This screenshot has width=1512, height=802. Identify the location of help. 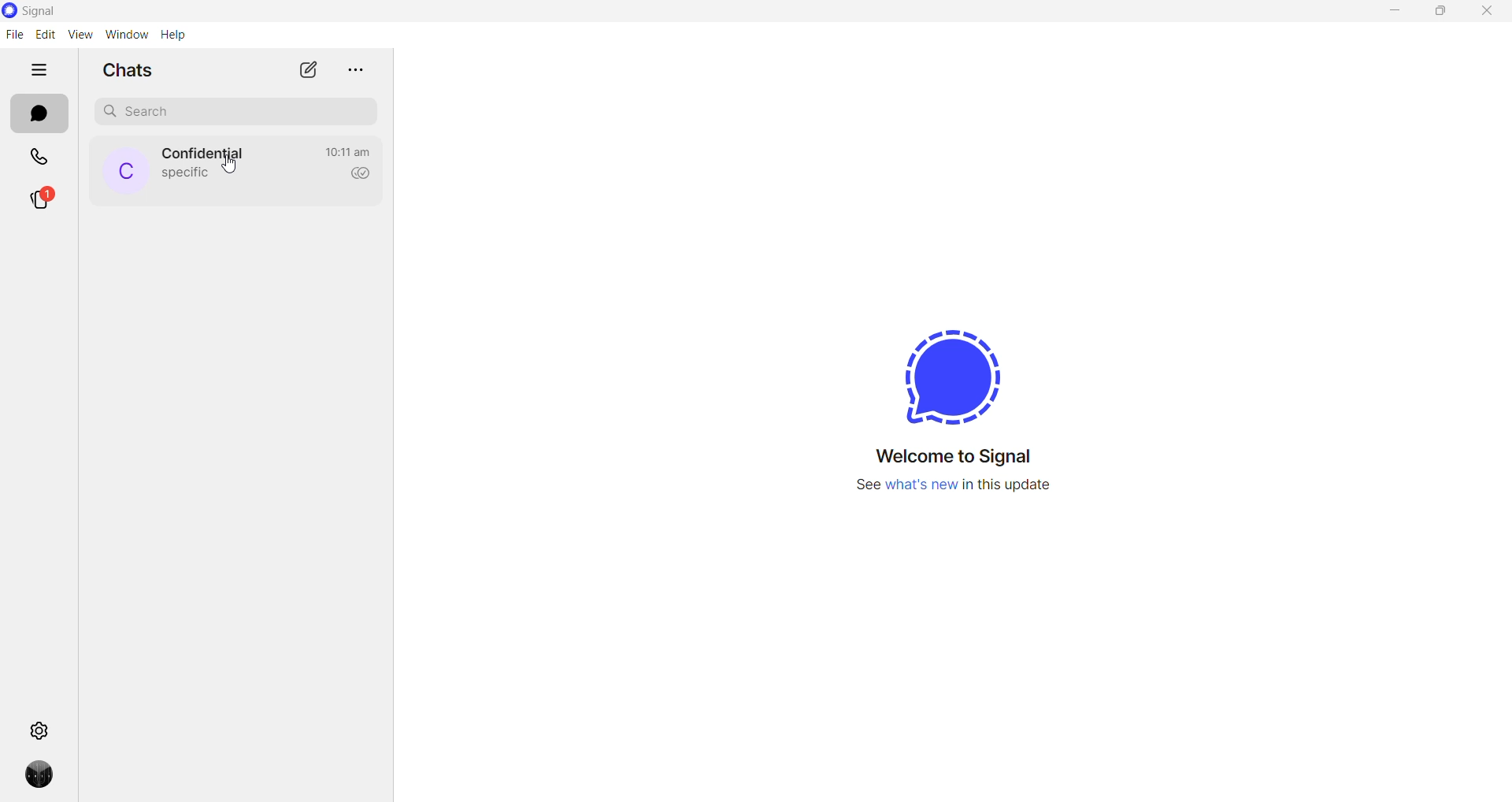
(172, 36).